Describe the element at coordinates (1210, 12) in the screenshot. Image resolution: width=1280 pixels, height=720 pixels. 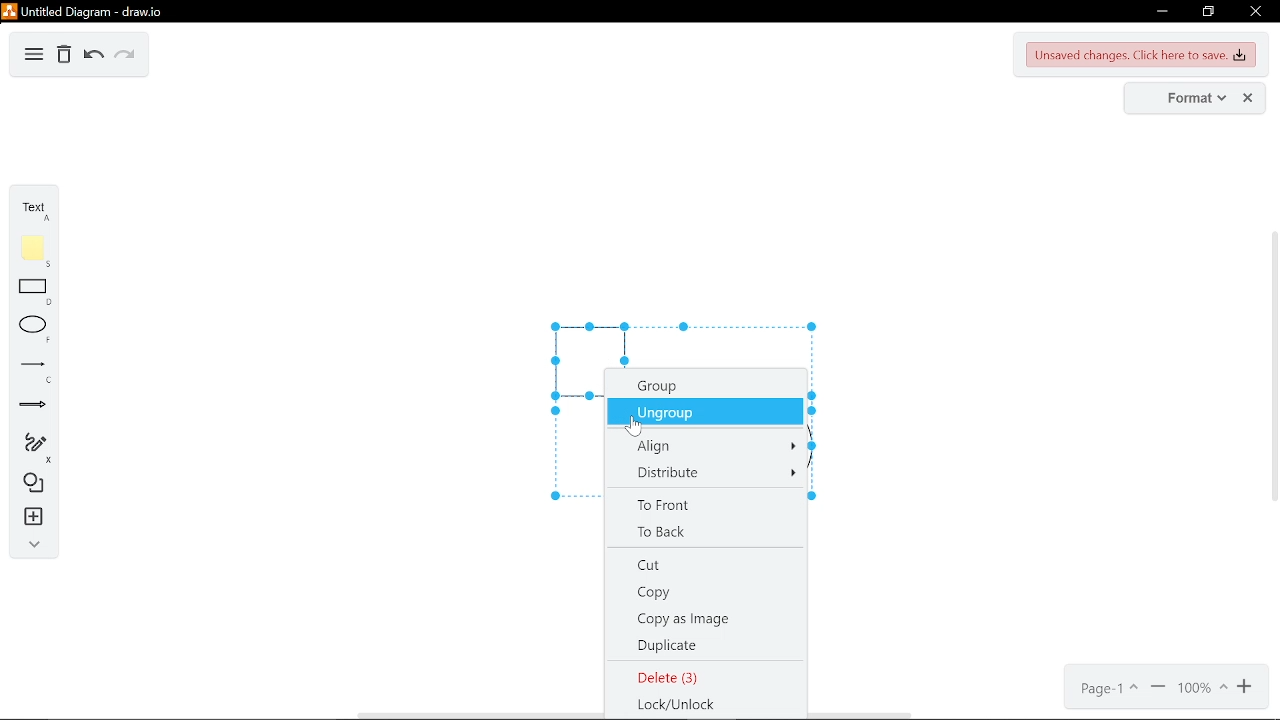
I see `restore down` at that location.